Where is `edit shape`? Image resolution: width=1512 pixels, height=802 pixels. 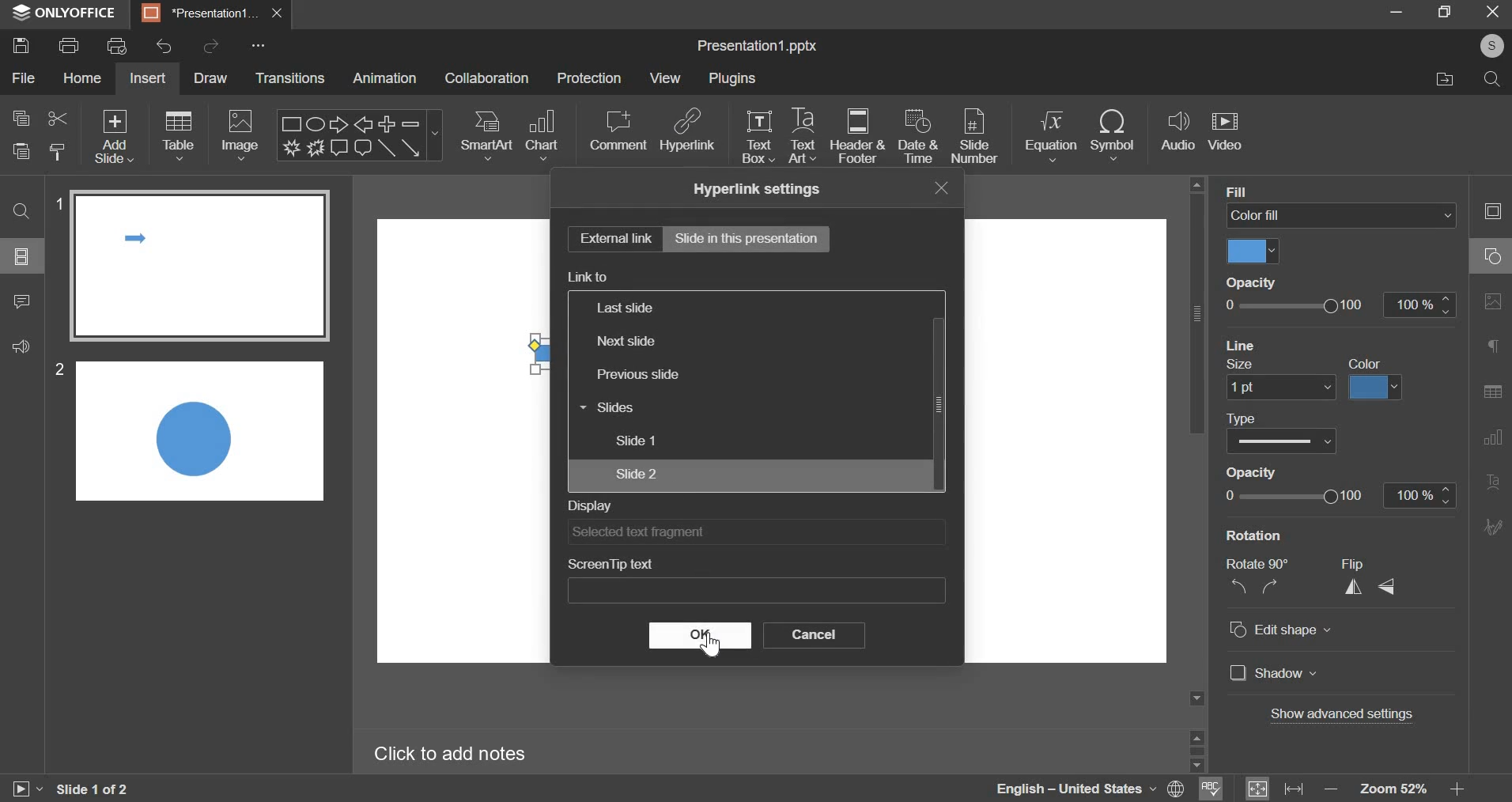
edit shape is located at coordinates (1287, 630).